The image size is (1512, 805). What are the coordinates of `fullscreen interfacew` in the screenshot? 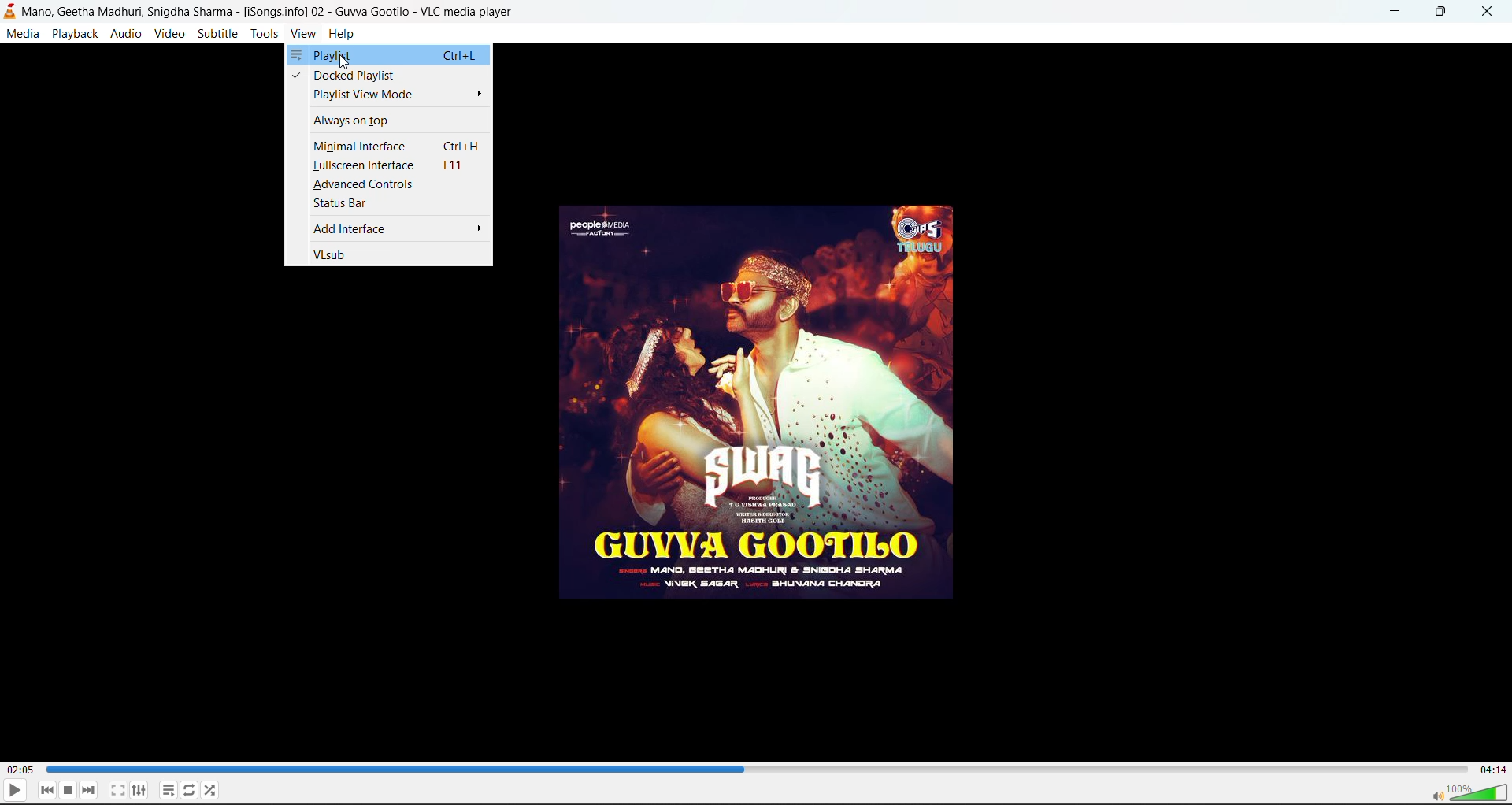 It's located at (391, 165).